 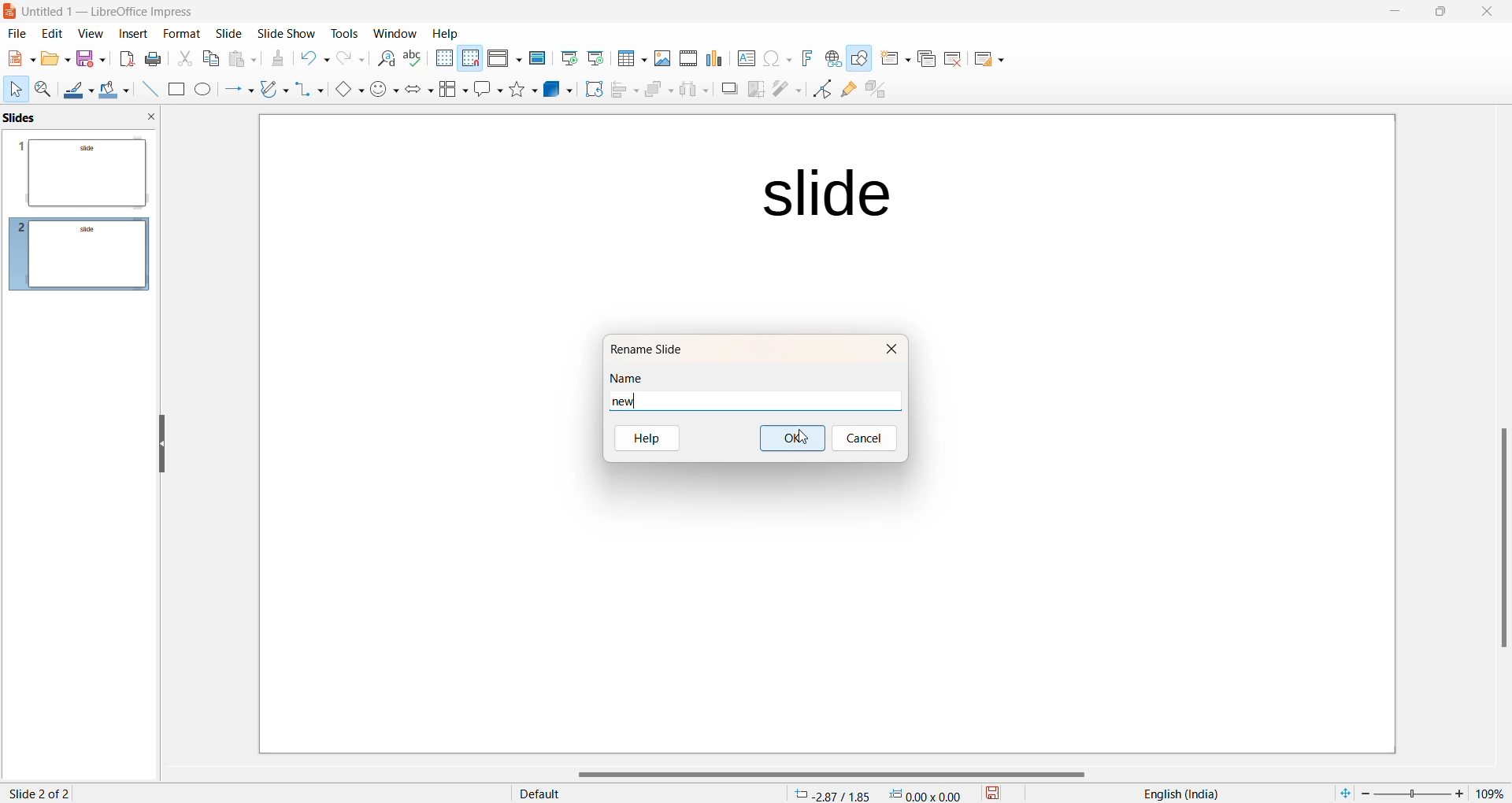 What do you see at coordinates (391, 31) in the screenshot?
I see `Window` at bounding box center [391, 31].